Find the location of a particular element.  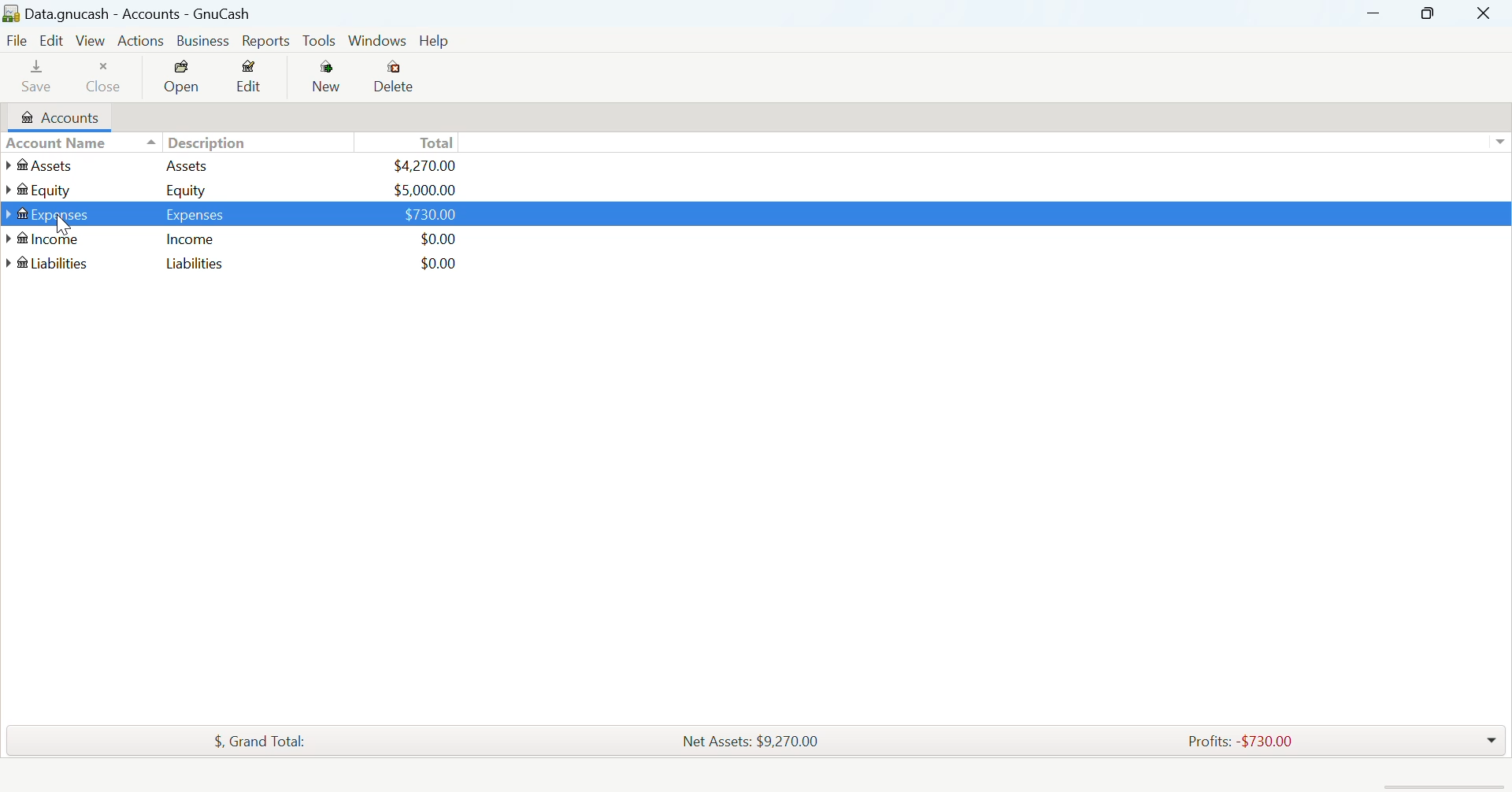

Close Window is located at coordinates (1485, 13).